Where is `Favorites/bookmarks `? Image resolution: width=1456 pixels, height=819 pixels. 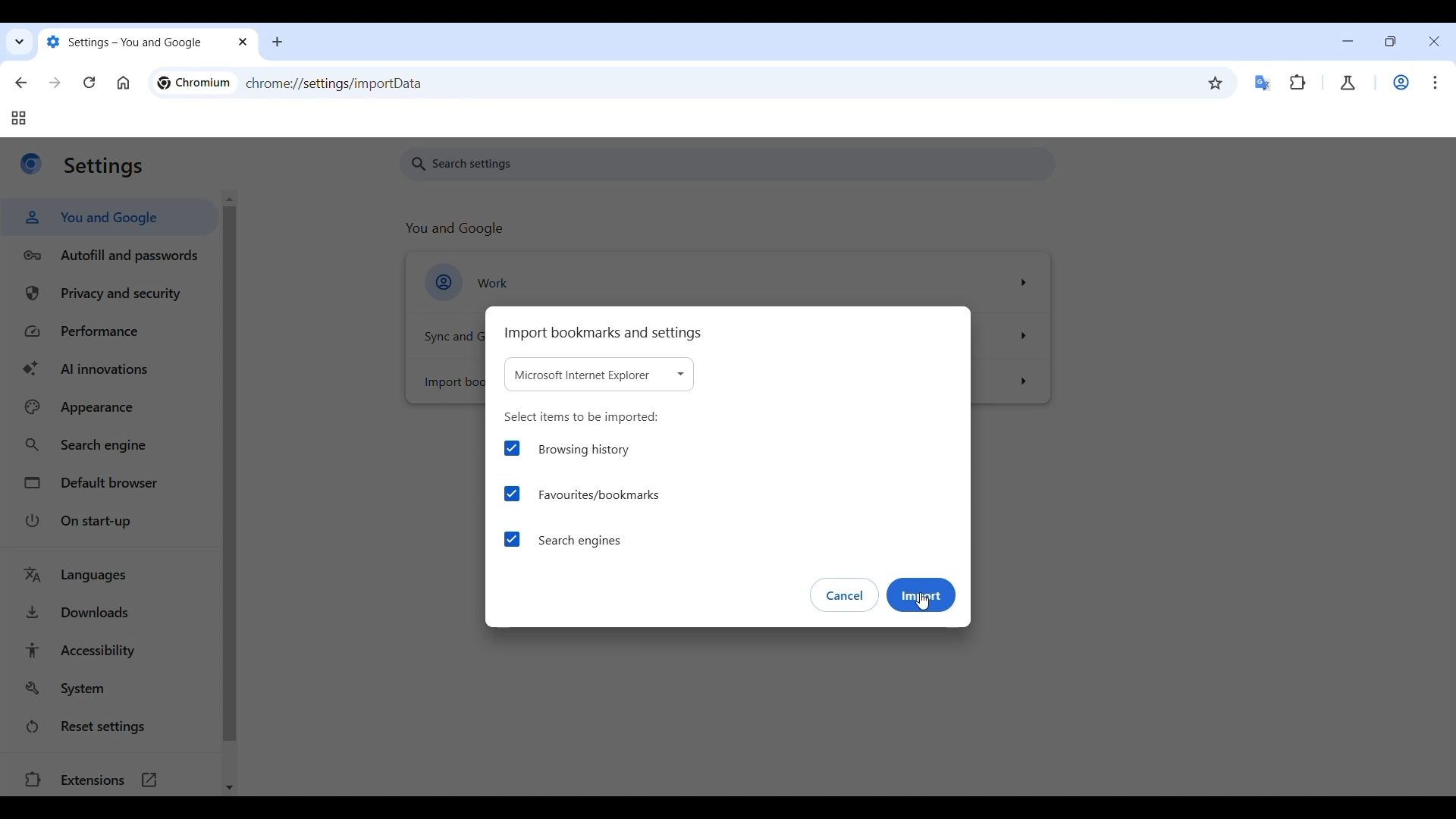 Favorites/bookmarks  is located at coordinates (582, 494).